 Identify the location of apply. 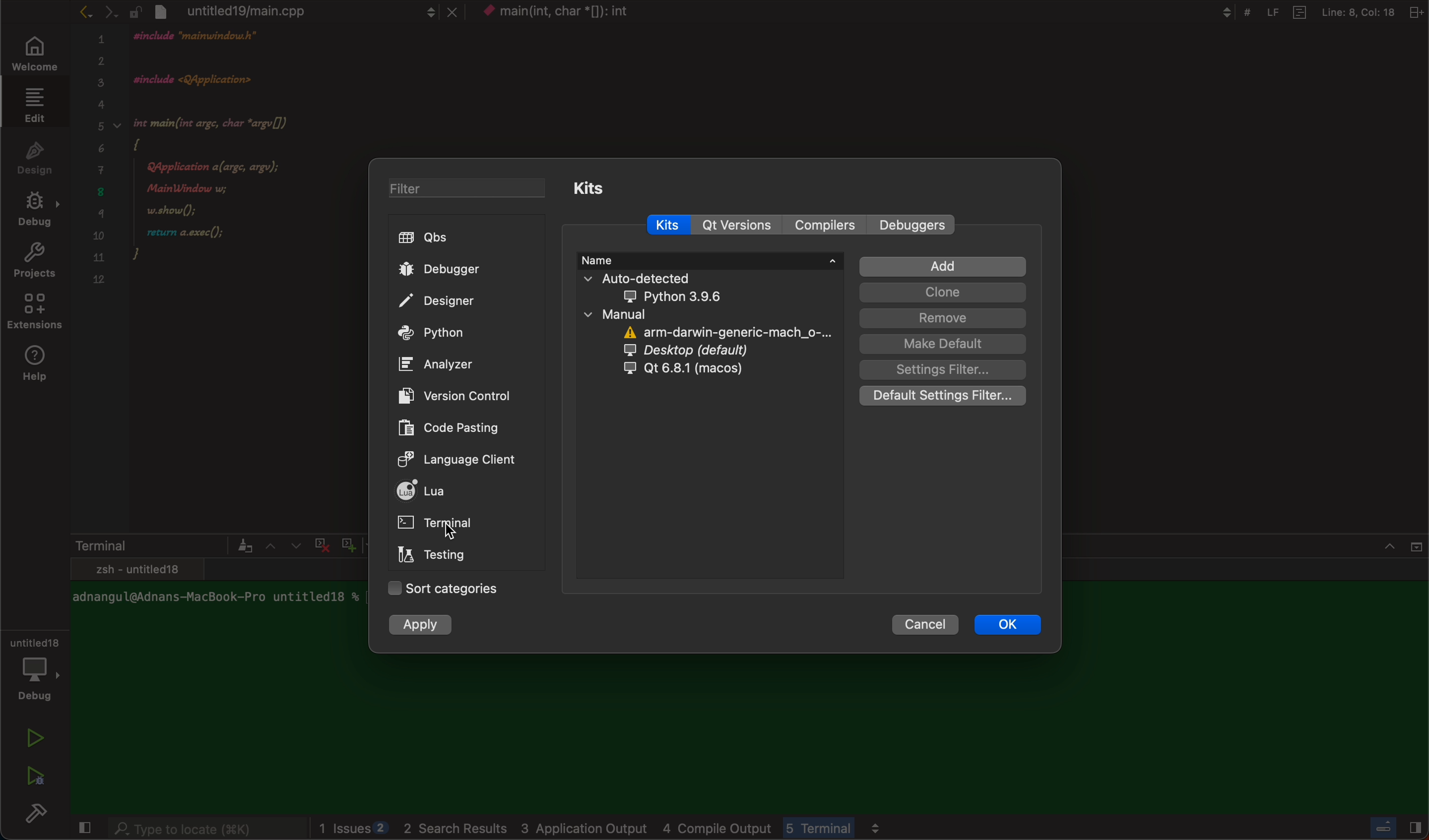
(424, 626).